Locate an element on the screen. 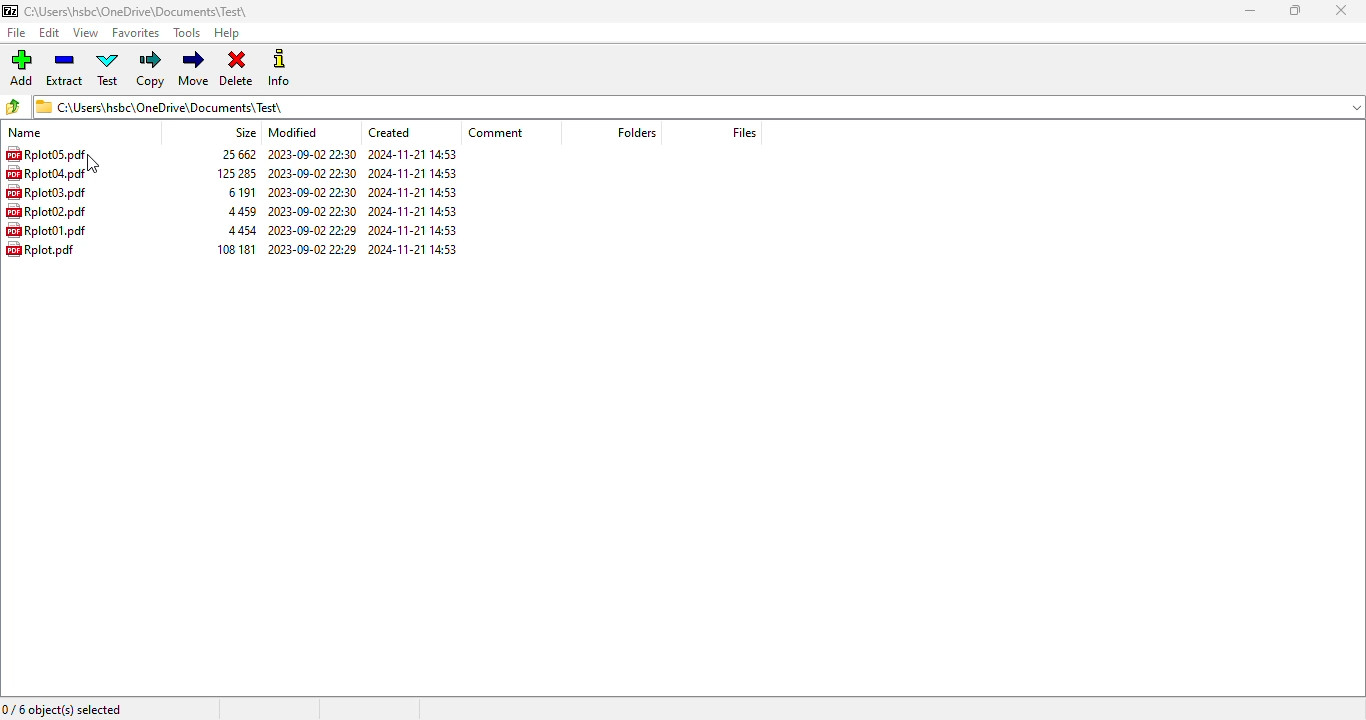 The image size is (1366, 720). size is located at coordinates (240, 192).